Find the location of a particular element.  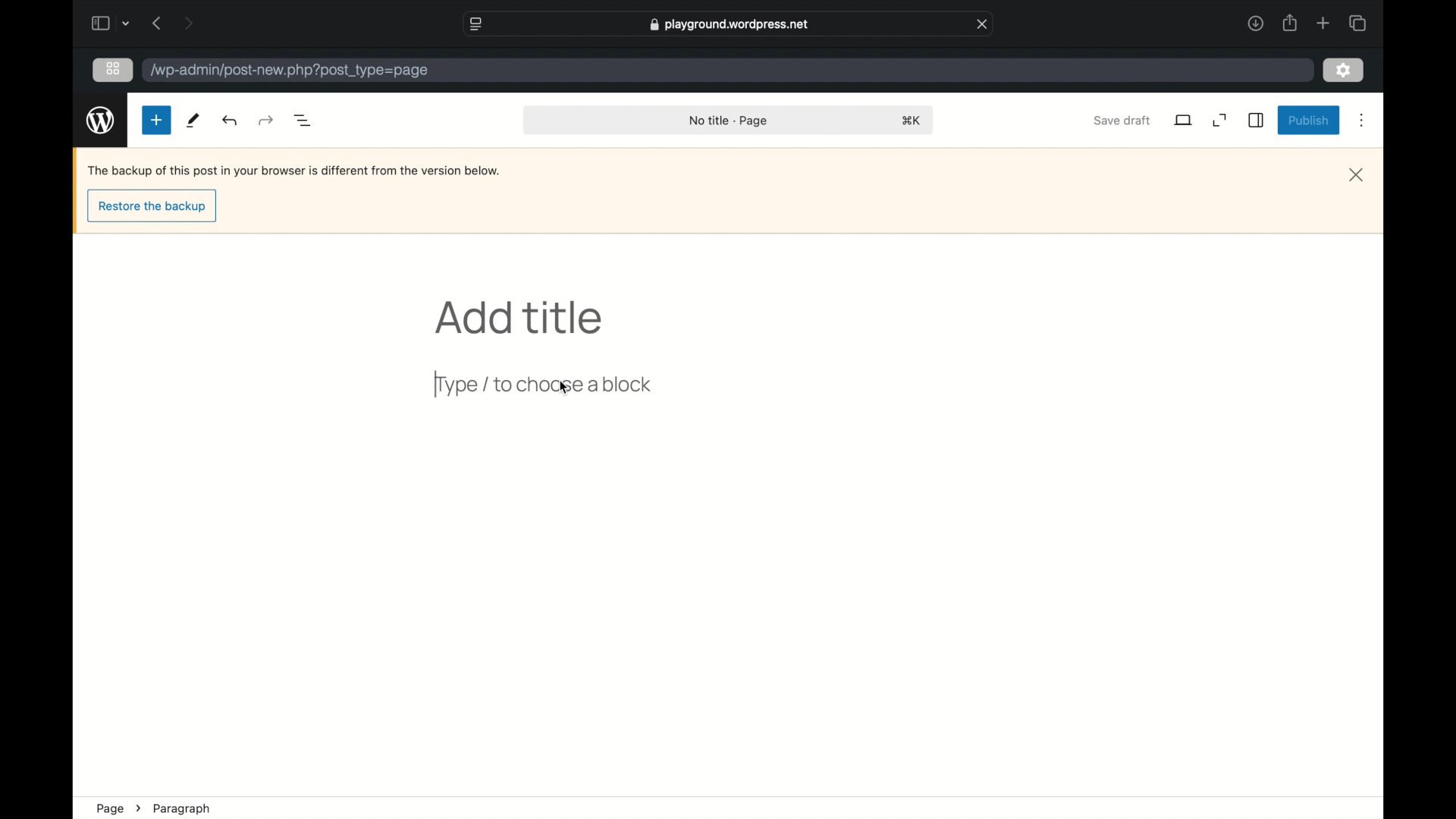

grid view is located at coordinates (113, 69).